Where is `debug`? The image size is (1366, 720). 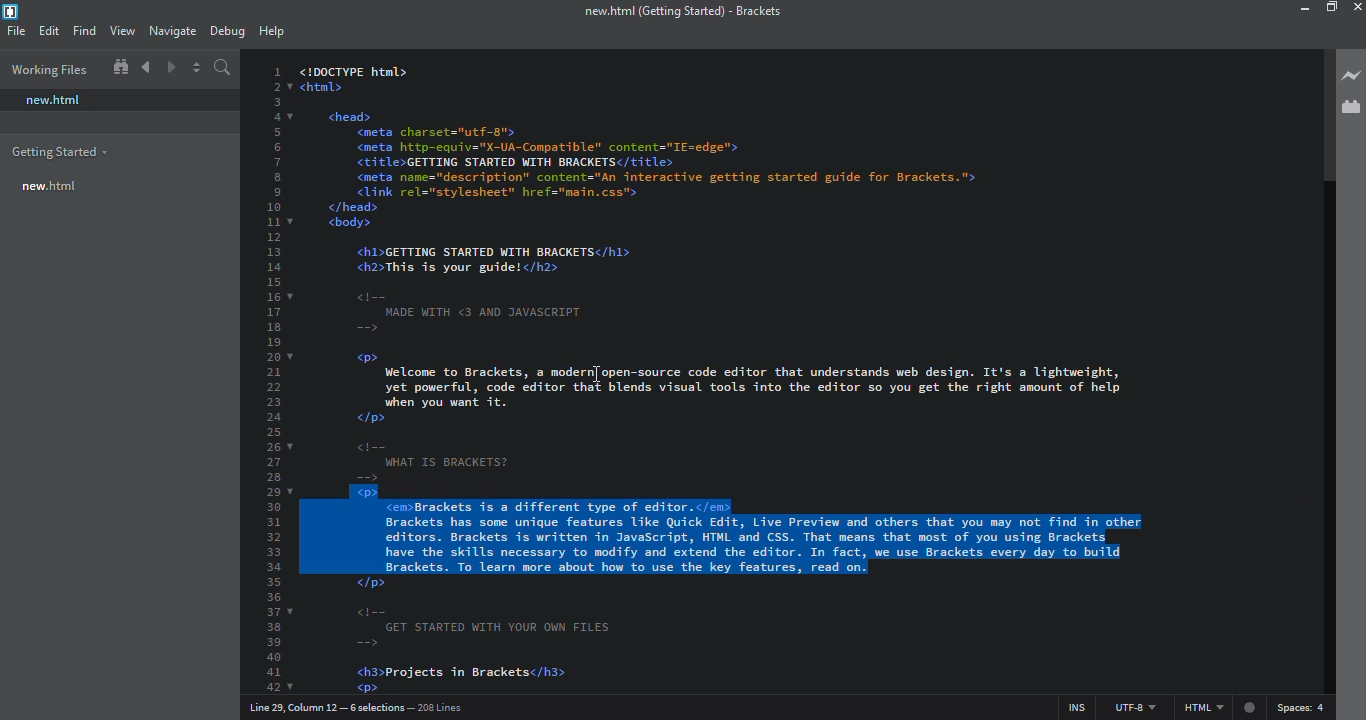 debug is located at coordinates (224, 28).